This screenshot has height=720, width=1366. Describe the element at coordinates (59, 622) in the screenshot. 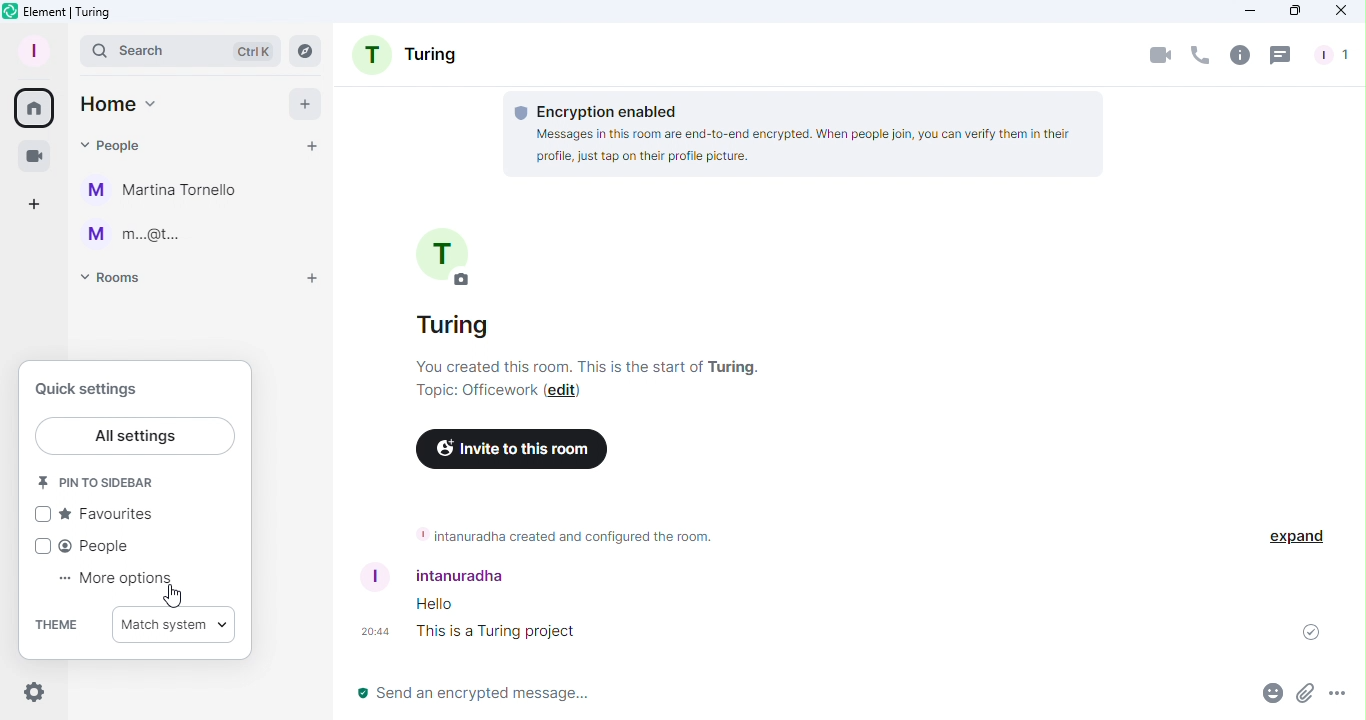

I see `Theme` at that location.